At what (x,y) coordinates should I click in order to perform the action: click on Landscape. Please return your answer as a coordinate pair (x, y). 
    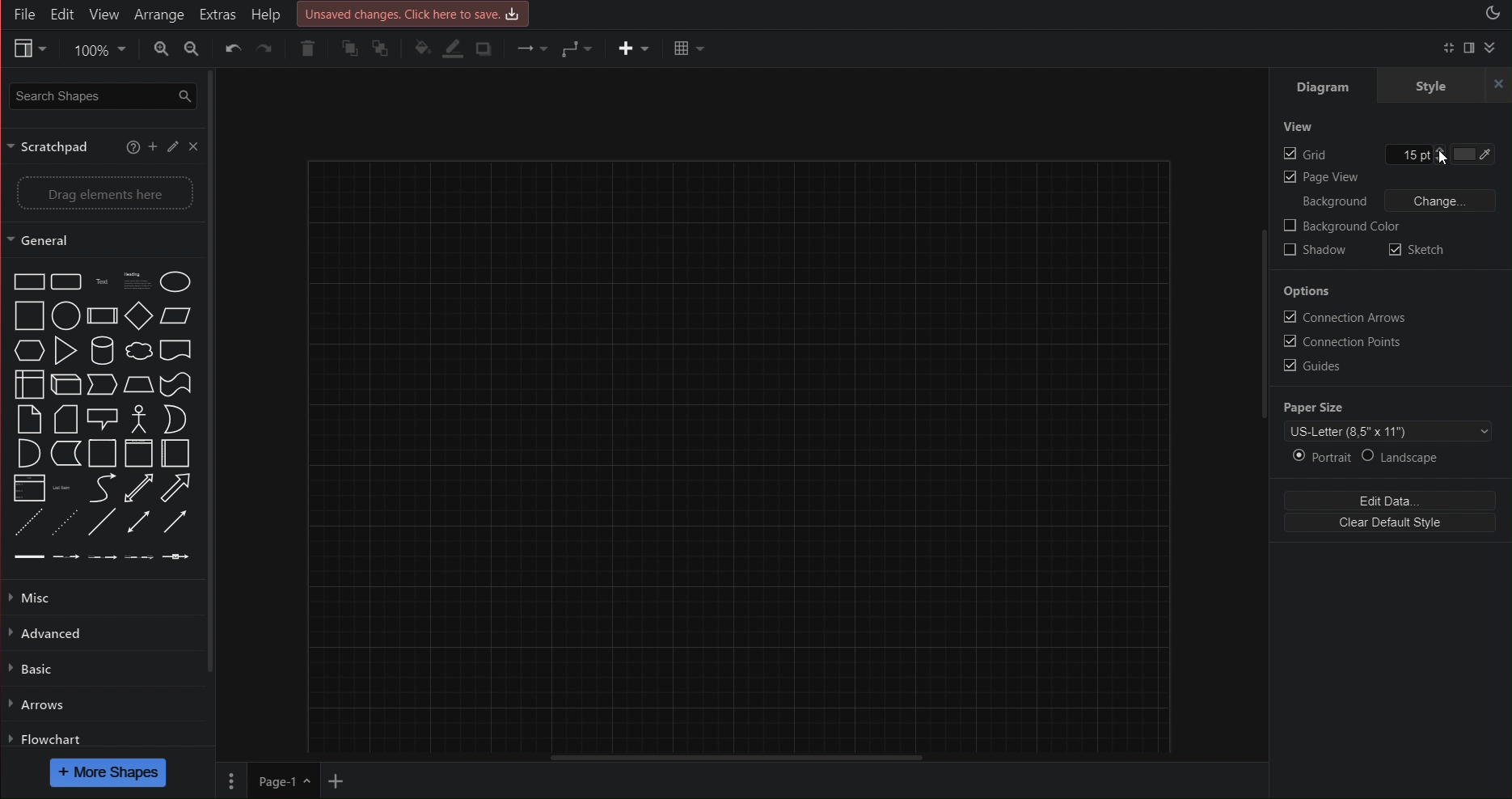
    Looking at the image, I should click on (1405, 457).